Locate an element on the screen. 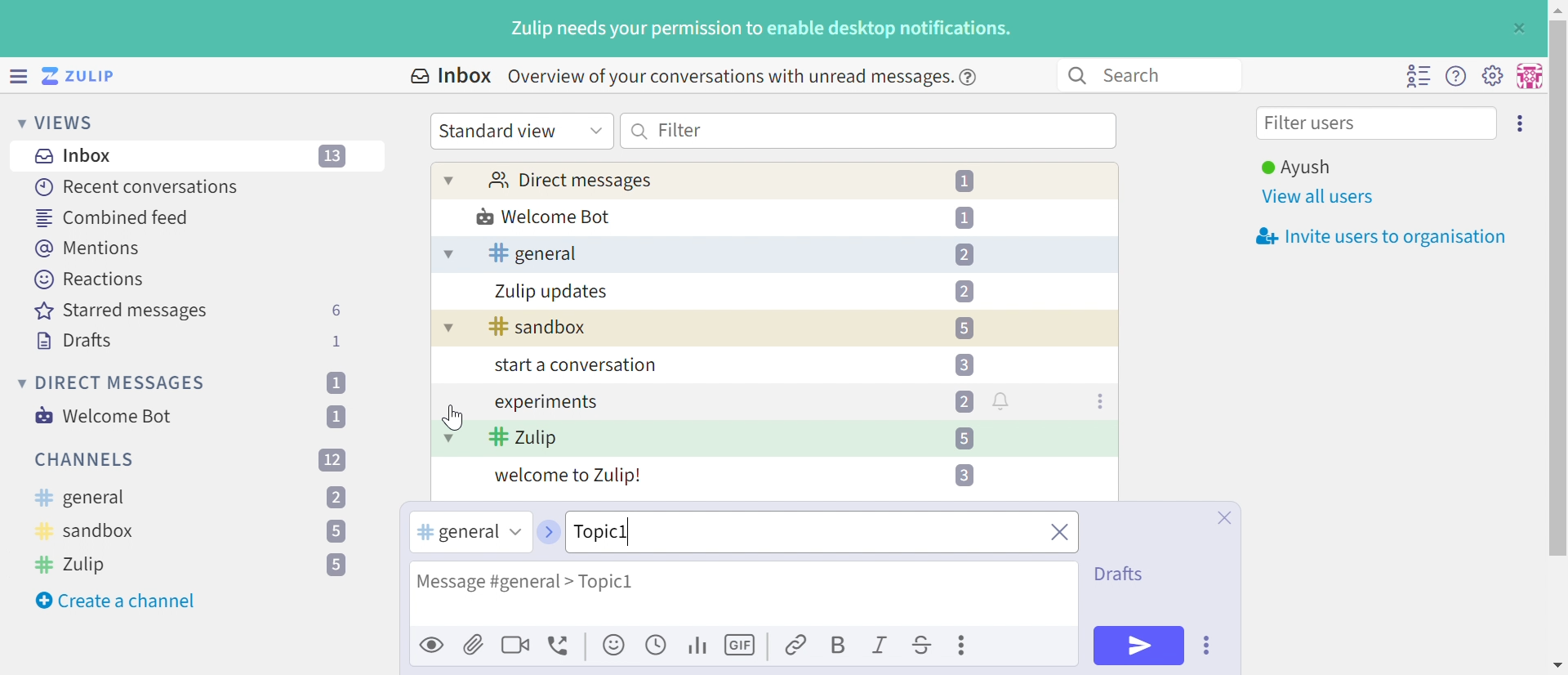 This screenshot has width=1568, height=675. Inbox is located at coordinates (449, 76).